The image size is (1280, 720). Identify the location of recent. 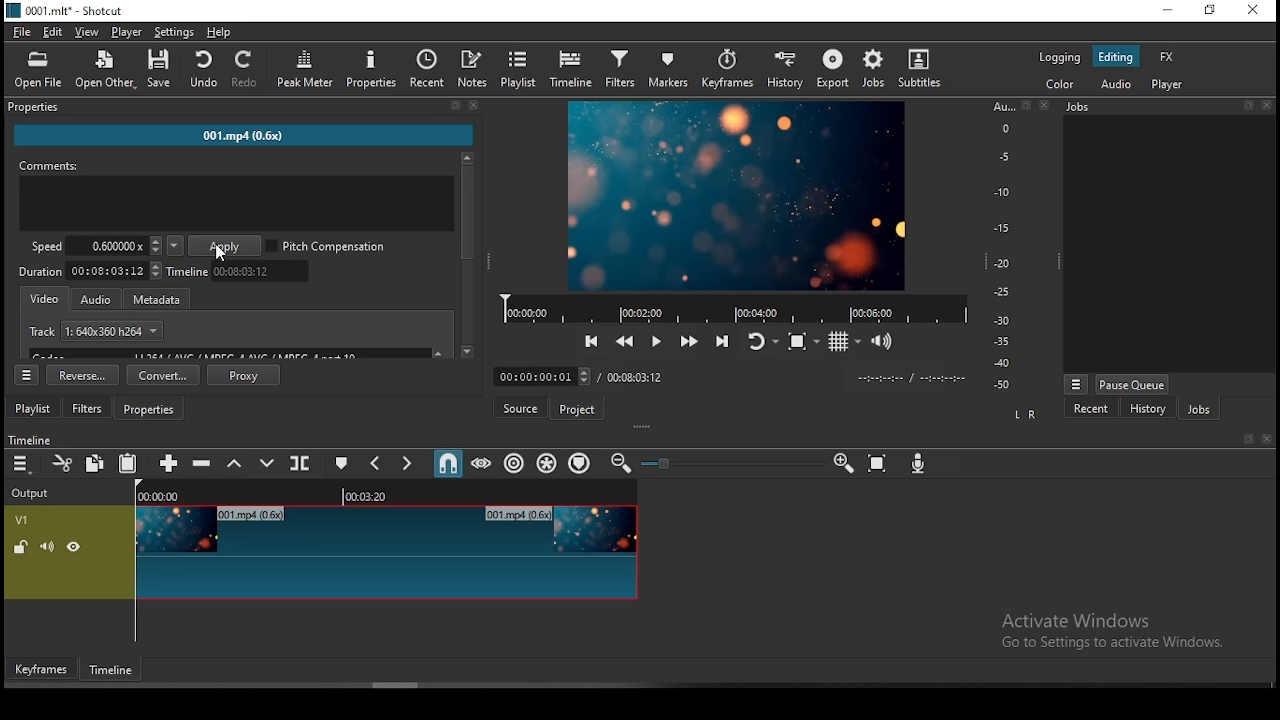
(425, 69).